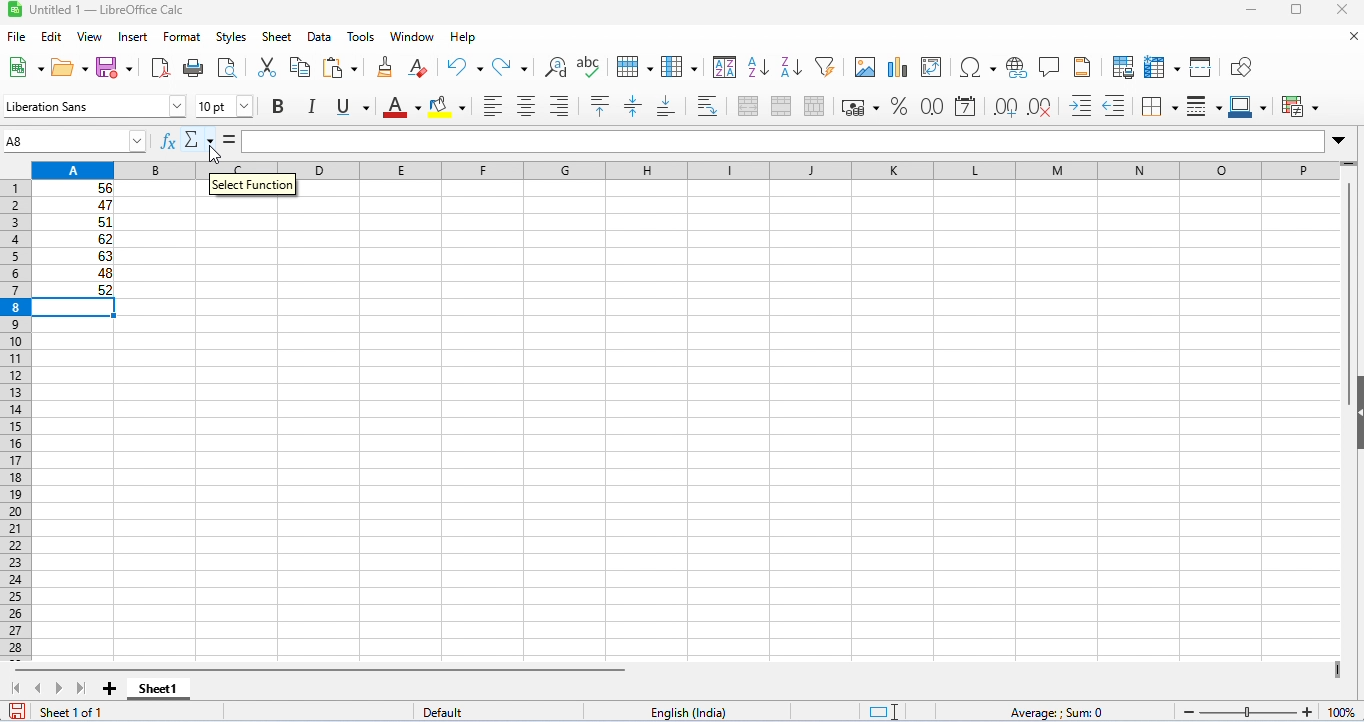 The image size is (1364, 722). I want to click on underline, so click(352, 106).